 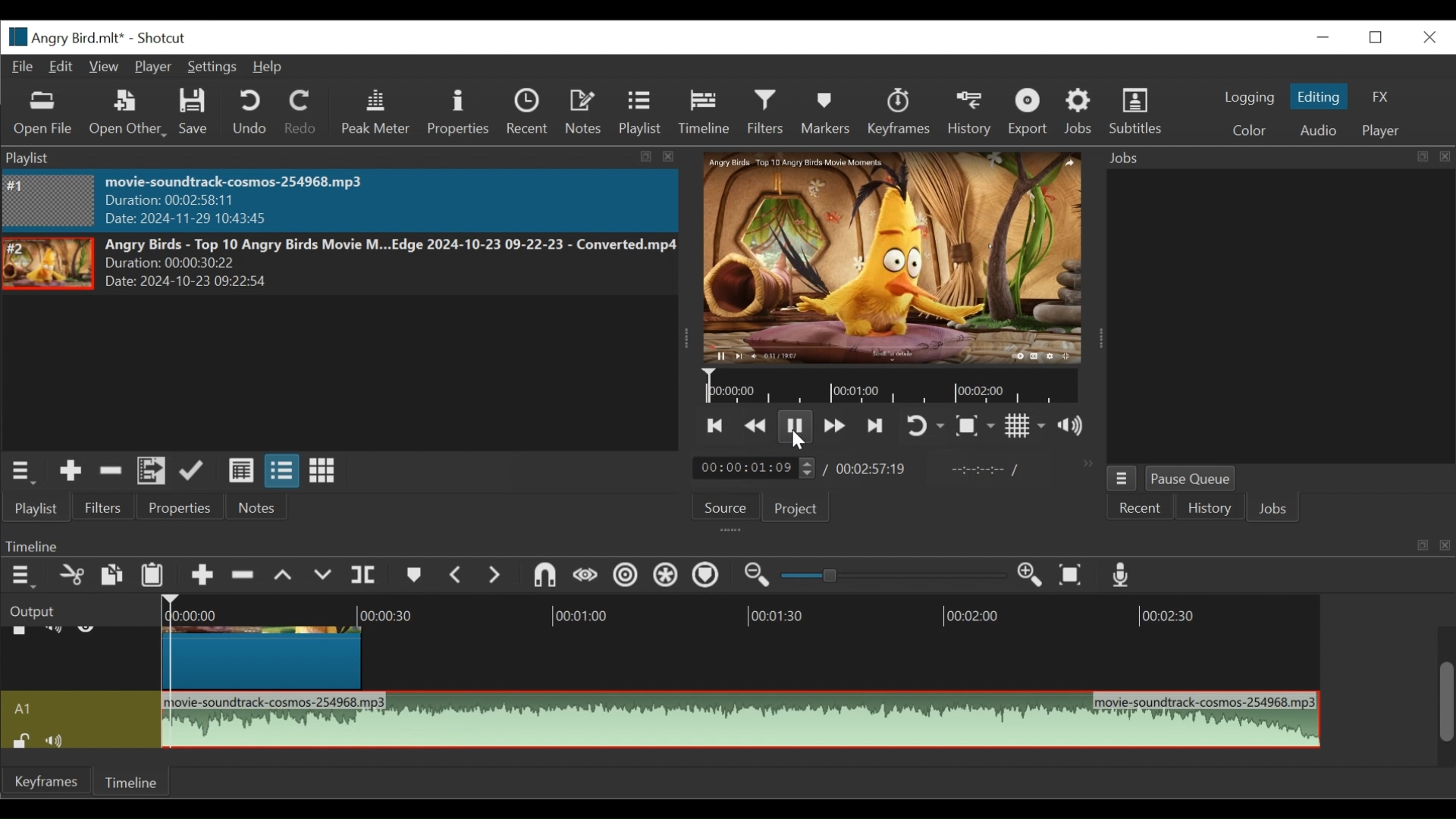 What do you see at coordinates (542, 577) in the screenshot?
I see `Snap` at bounding box center [542, 577].